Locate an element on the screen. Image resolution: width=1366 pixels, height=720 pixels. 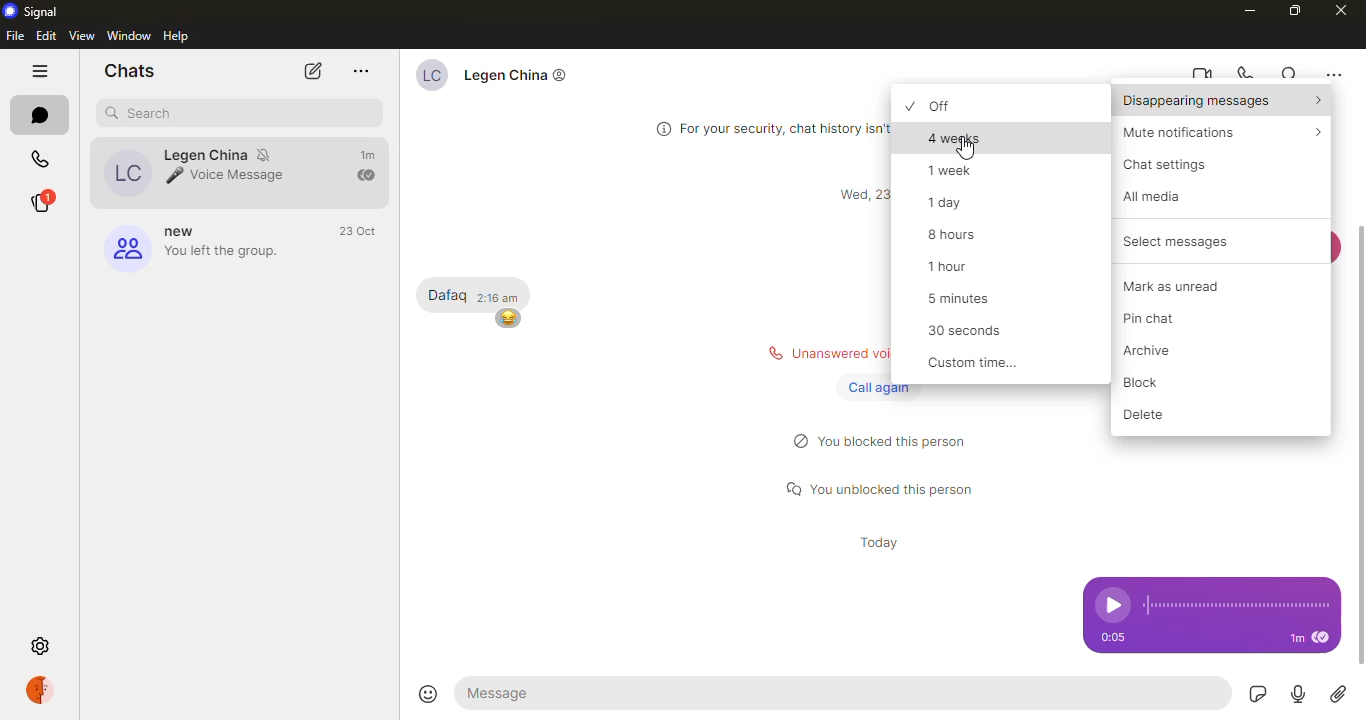
settings is located at coordinates (39, 645).